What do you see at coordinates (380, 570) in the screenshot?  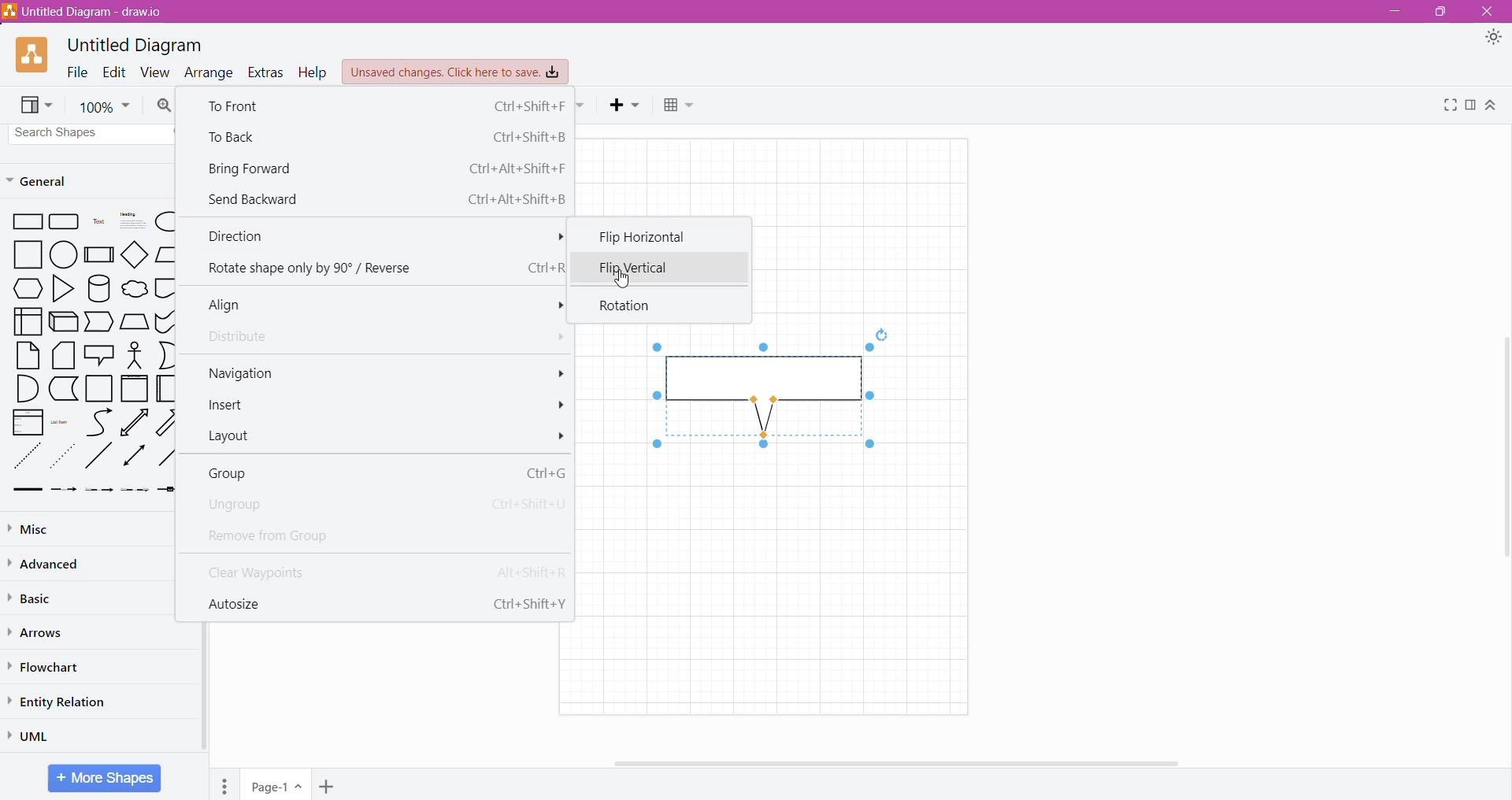 I see `Clear Waypoints` at bounding box center [380, 570].